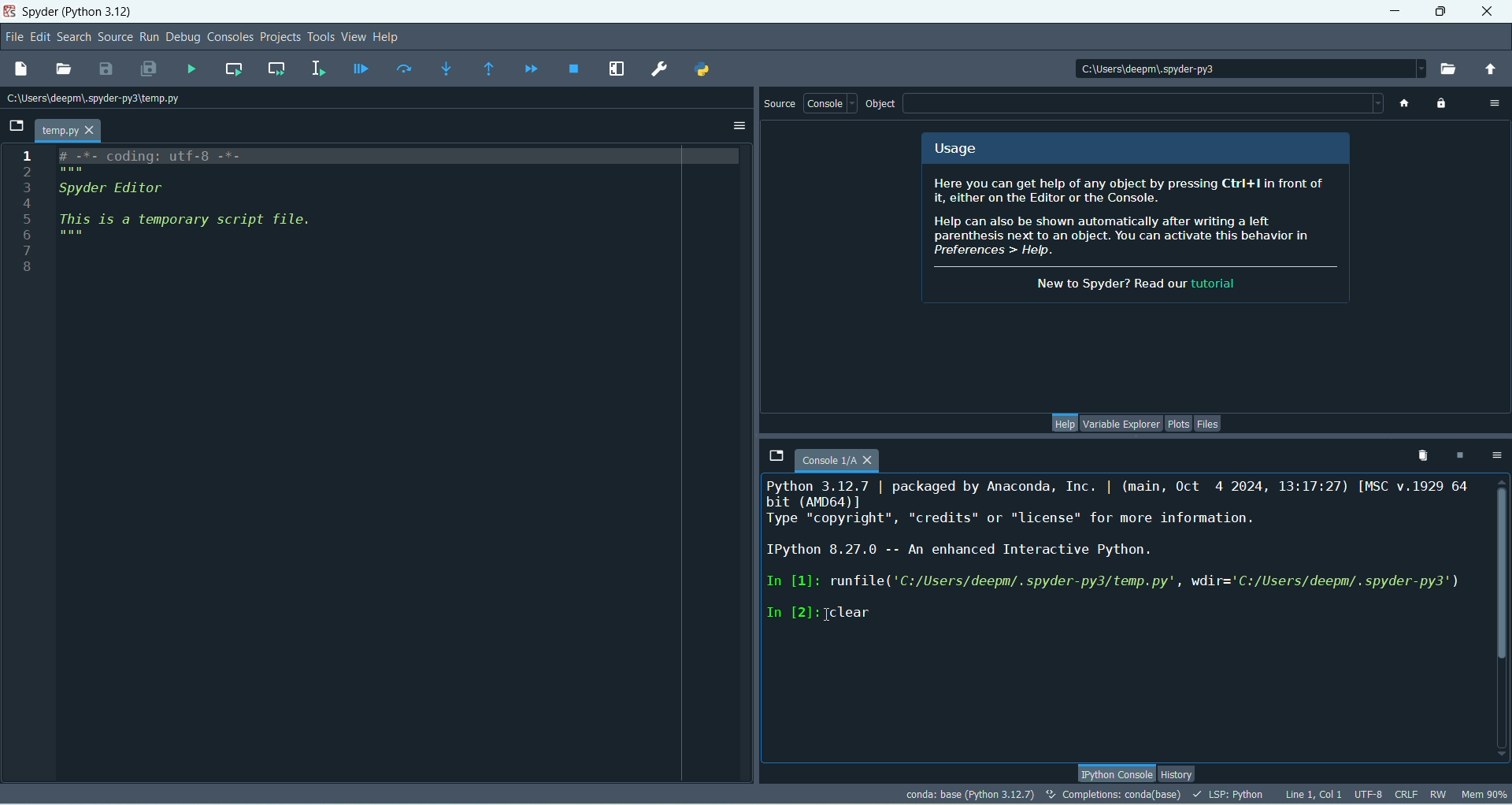 The height and width of the screenshot is (805, 1512). I want to click on run file, so click(191, 71).